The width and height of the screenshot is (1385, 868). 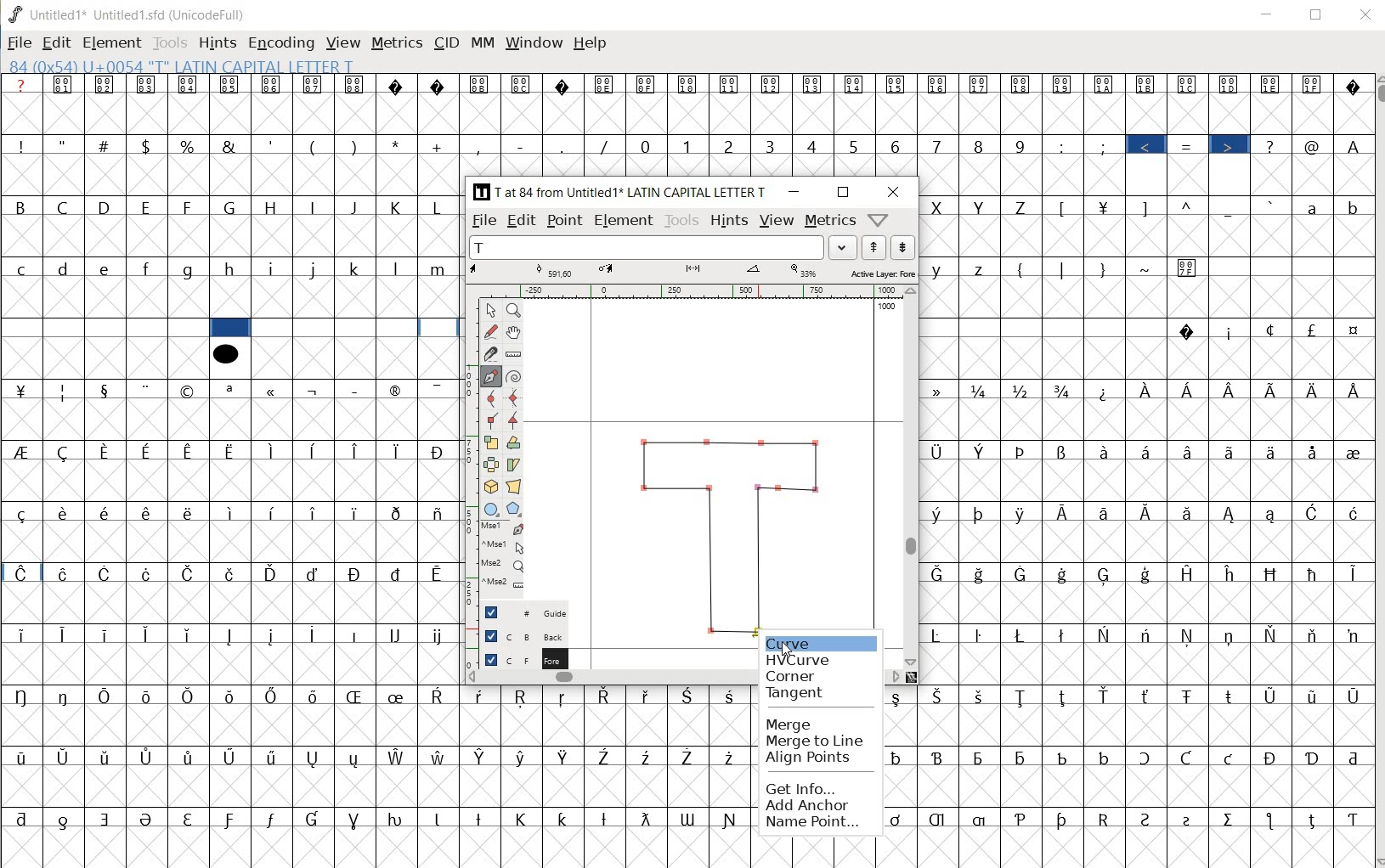 I want to click on 3, so click(x=773, y=147).